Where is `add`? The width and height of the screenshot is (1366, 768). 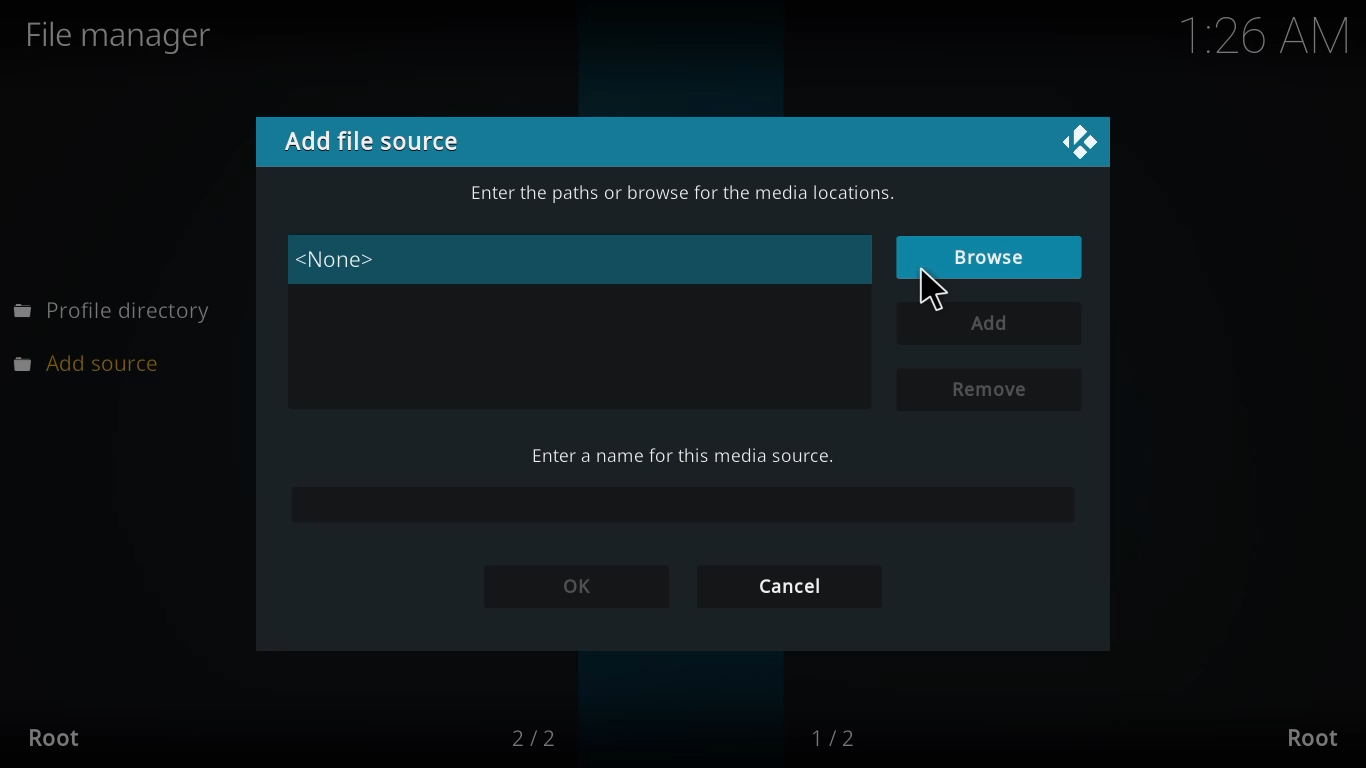 add is located at coordinates (993, 323).